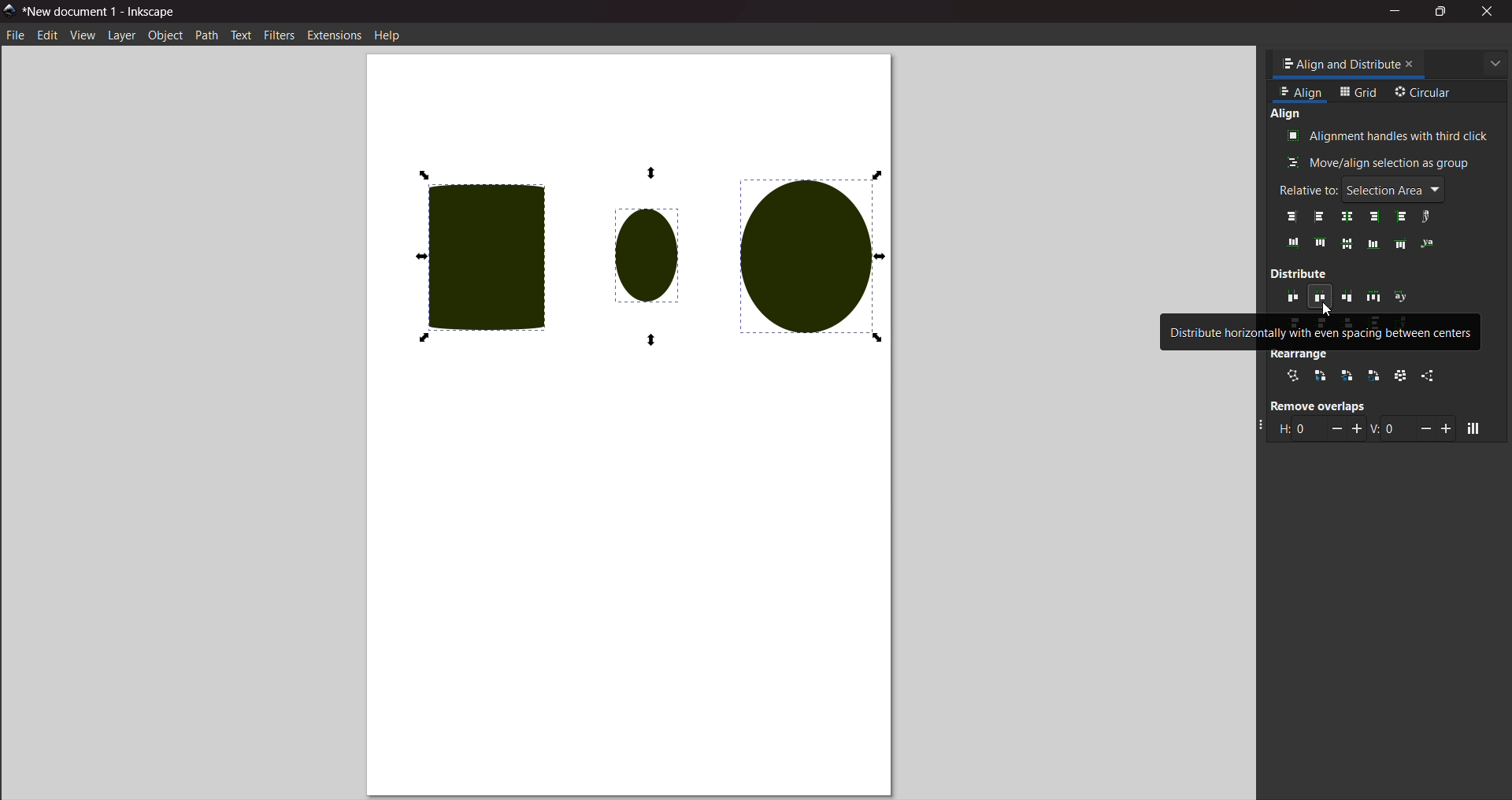 The image size is (1512, 800). Describe the element at coordinates (1297, 242) in the screenshot. I see `bottom edges` at that location.